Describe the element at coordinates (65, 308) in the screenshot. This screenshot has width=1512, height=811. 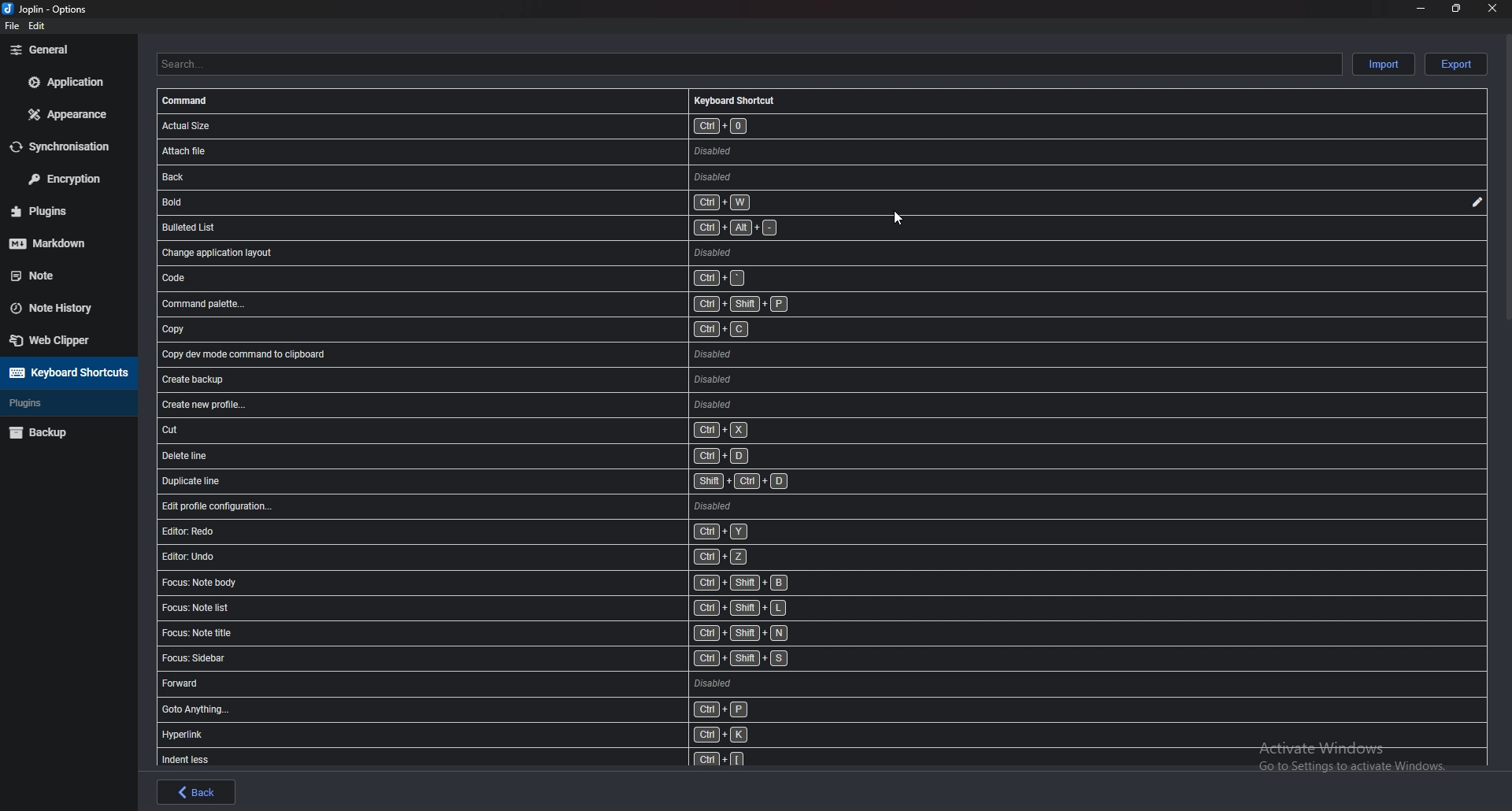
I see `Note history` at that location.